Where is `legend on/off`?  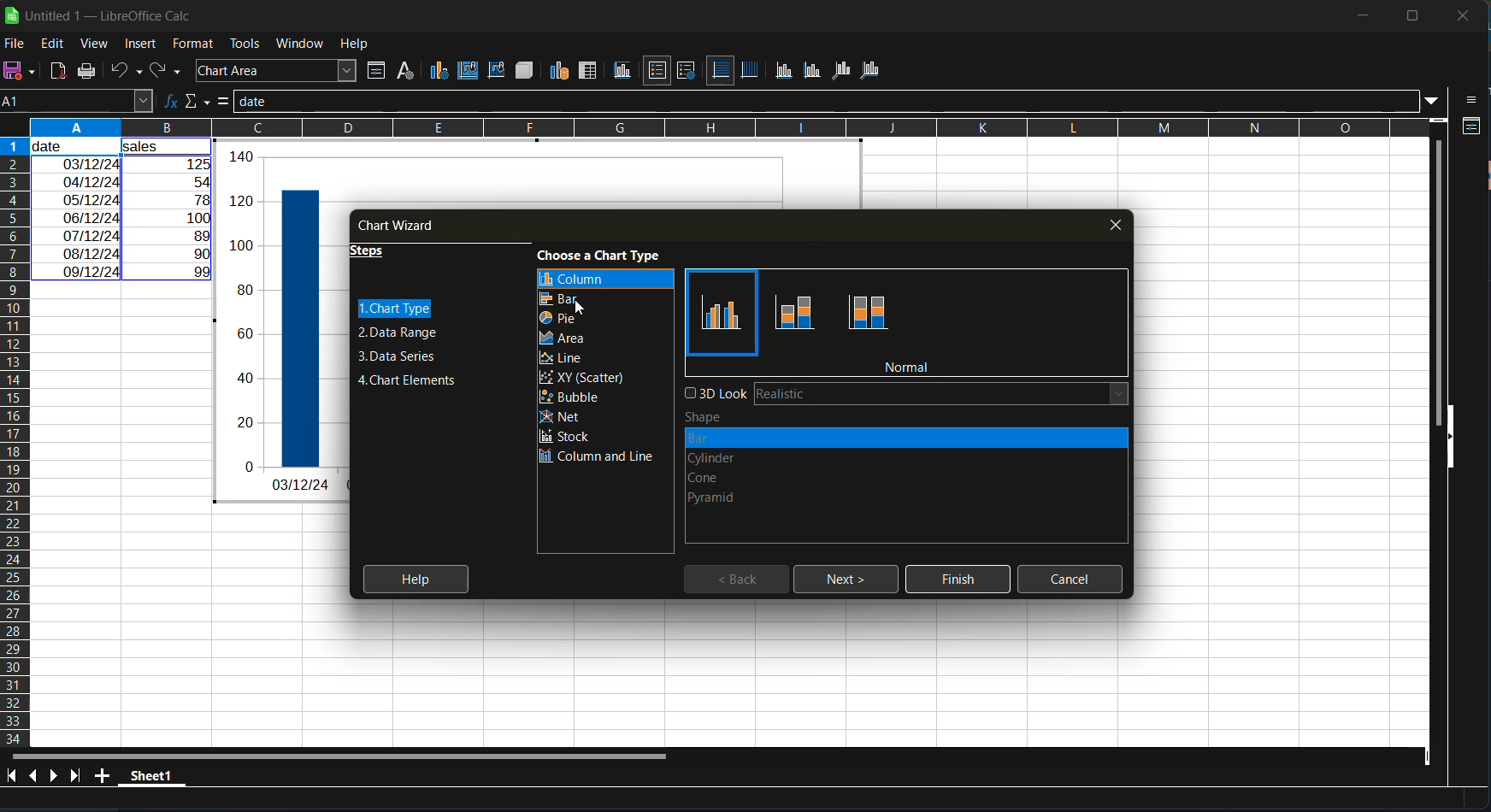 legend on/off is located at coordinates (659, 71).